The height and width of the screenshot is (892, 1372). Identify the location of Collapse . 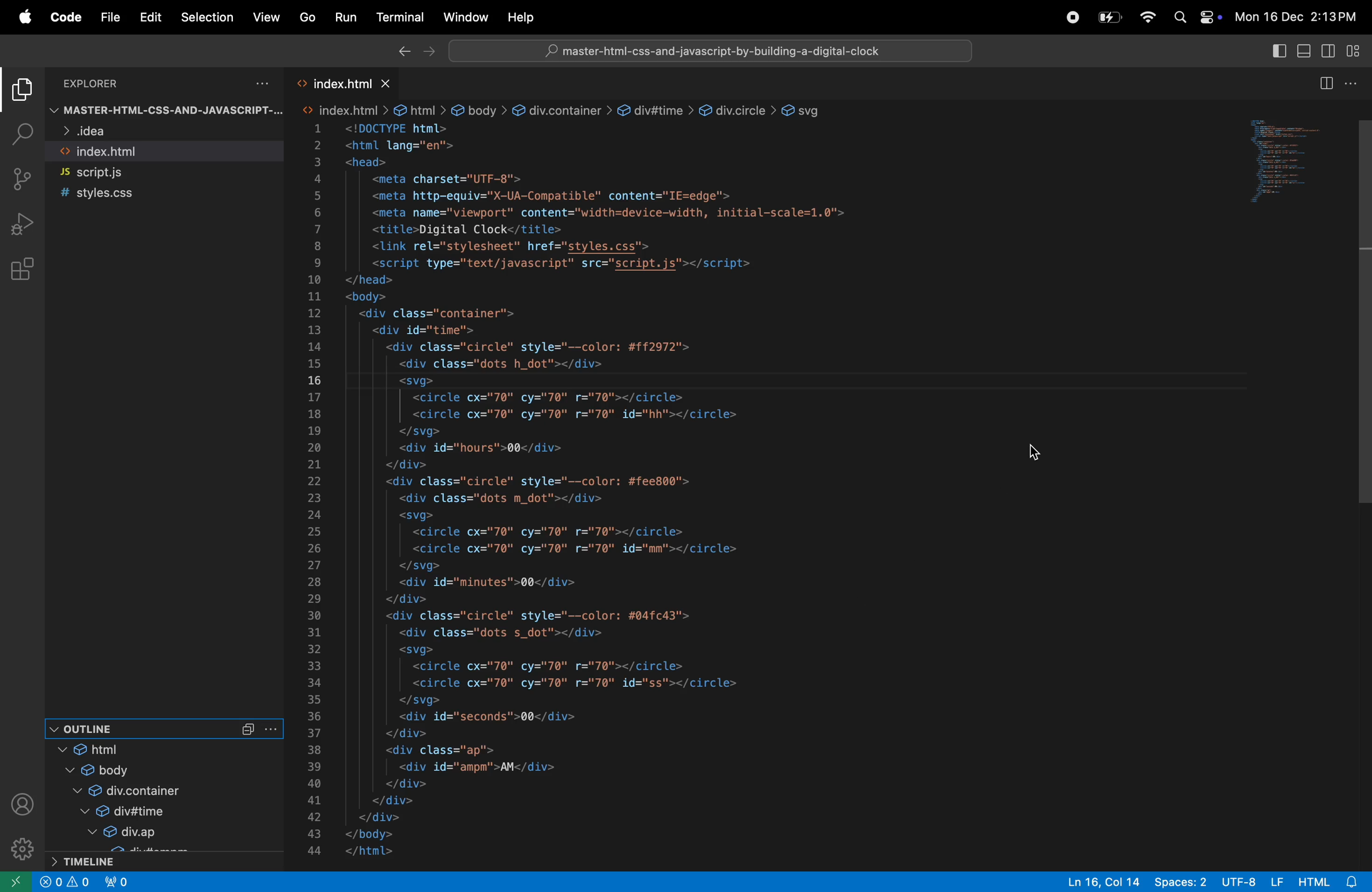
(248, 728).